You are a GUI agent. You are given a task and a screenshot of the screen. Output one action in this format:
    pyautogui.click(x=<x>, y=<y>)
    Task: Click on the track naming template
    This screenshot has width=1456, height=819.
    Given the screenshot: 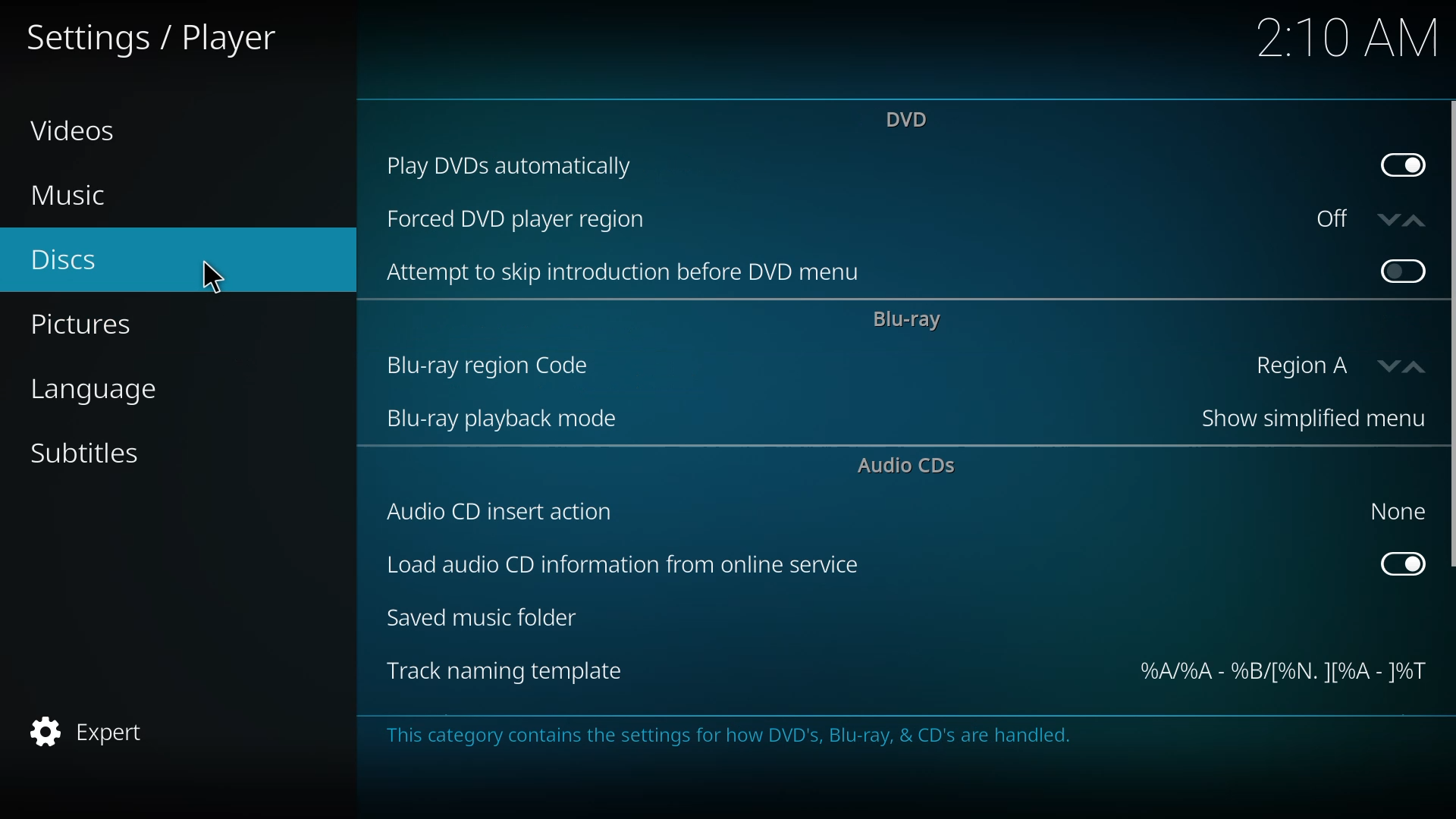 What is the action you would take?
    pyautogui.click(x=507, y=669)
    